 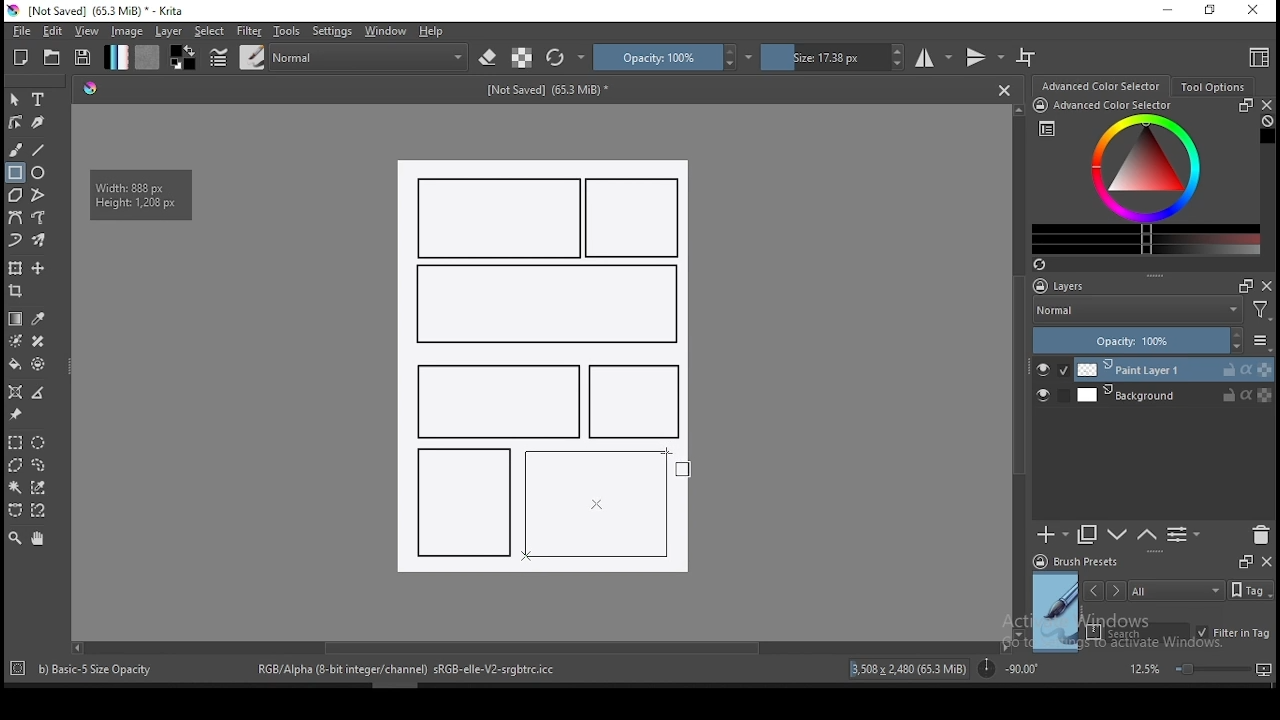 I want to click on windows, so click(x=386, y=31).